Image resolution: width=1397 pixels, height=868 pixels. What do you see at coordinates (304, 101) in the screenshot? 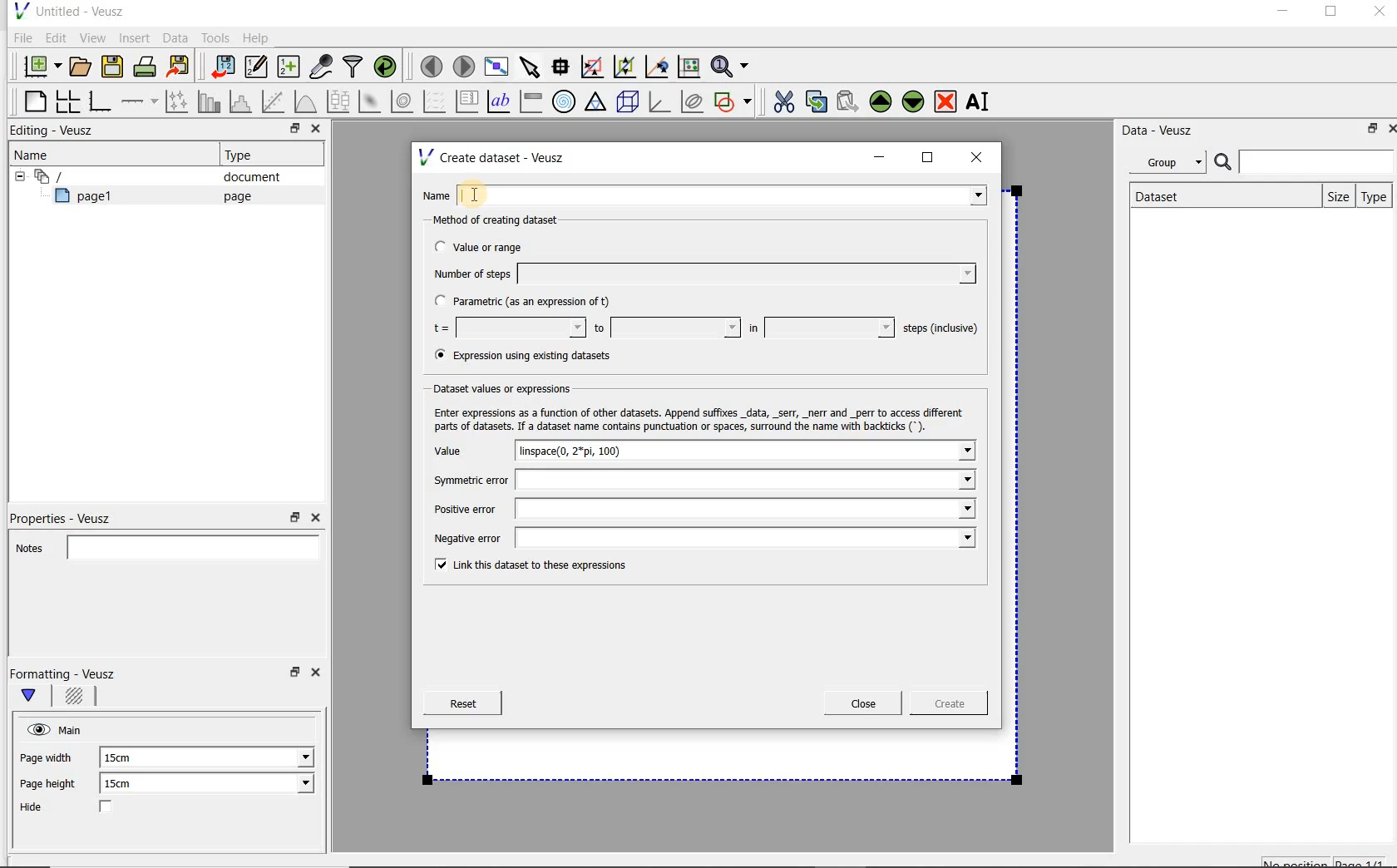
I see `plot a function` at bounding box center [304, 101].